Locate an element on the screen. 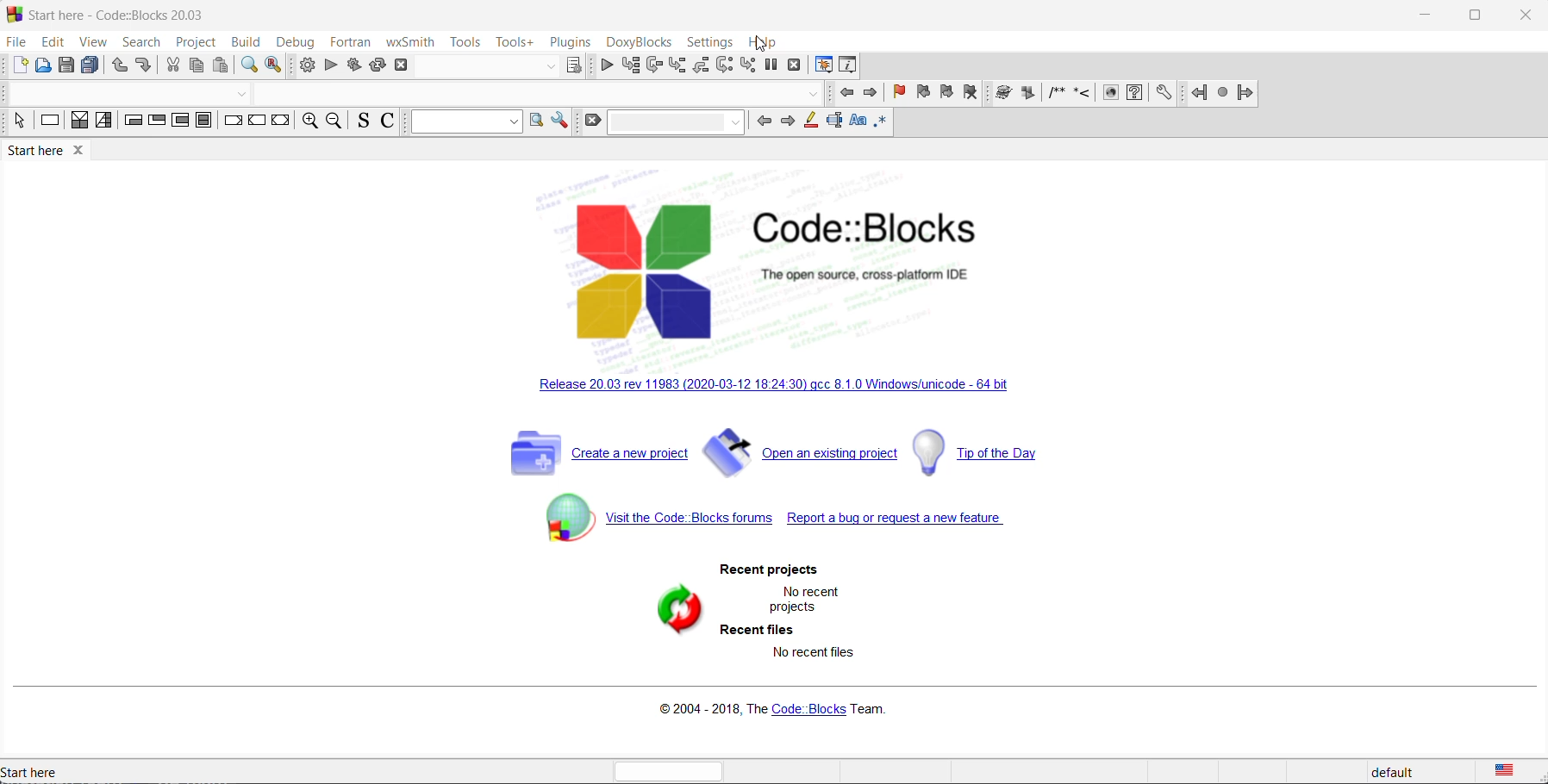 This screenshot has width=1548, height=784. tip day is located at coordinates (989, 453).